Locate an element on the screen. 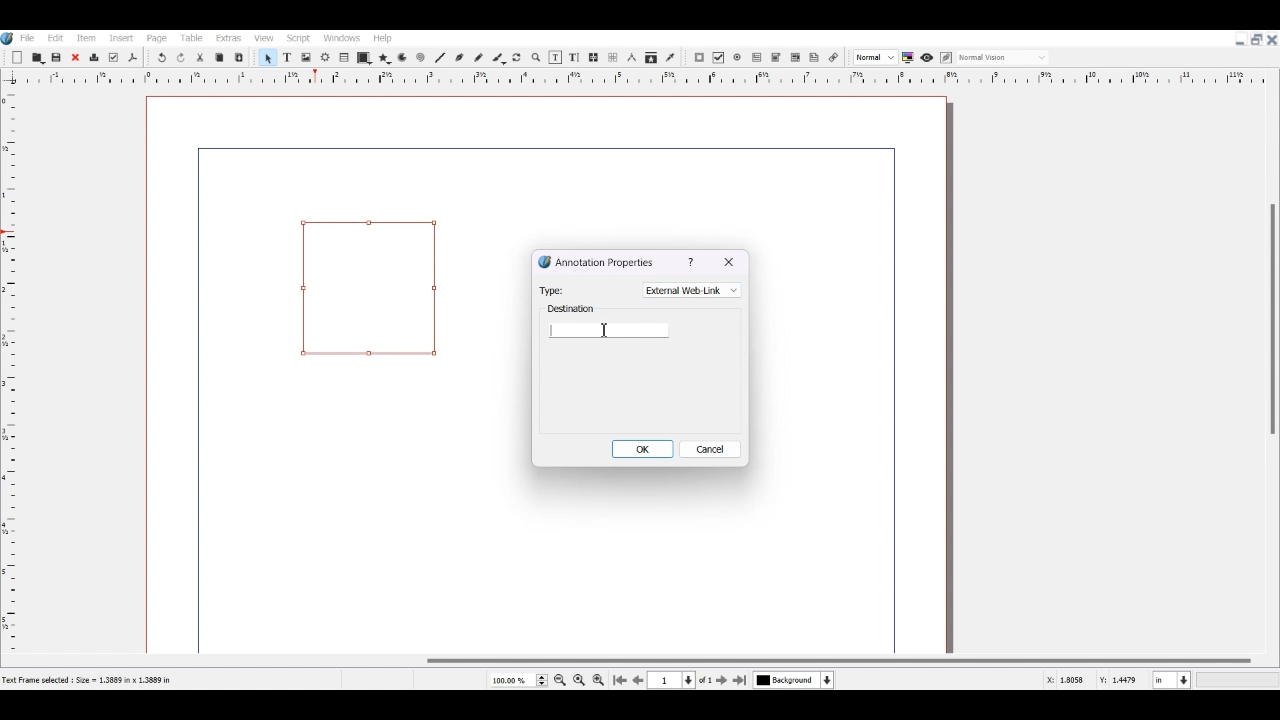  Close is located at coordinates (75, 58).